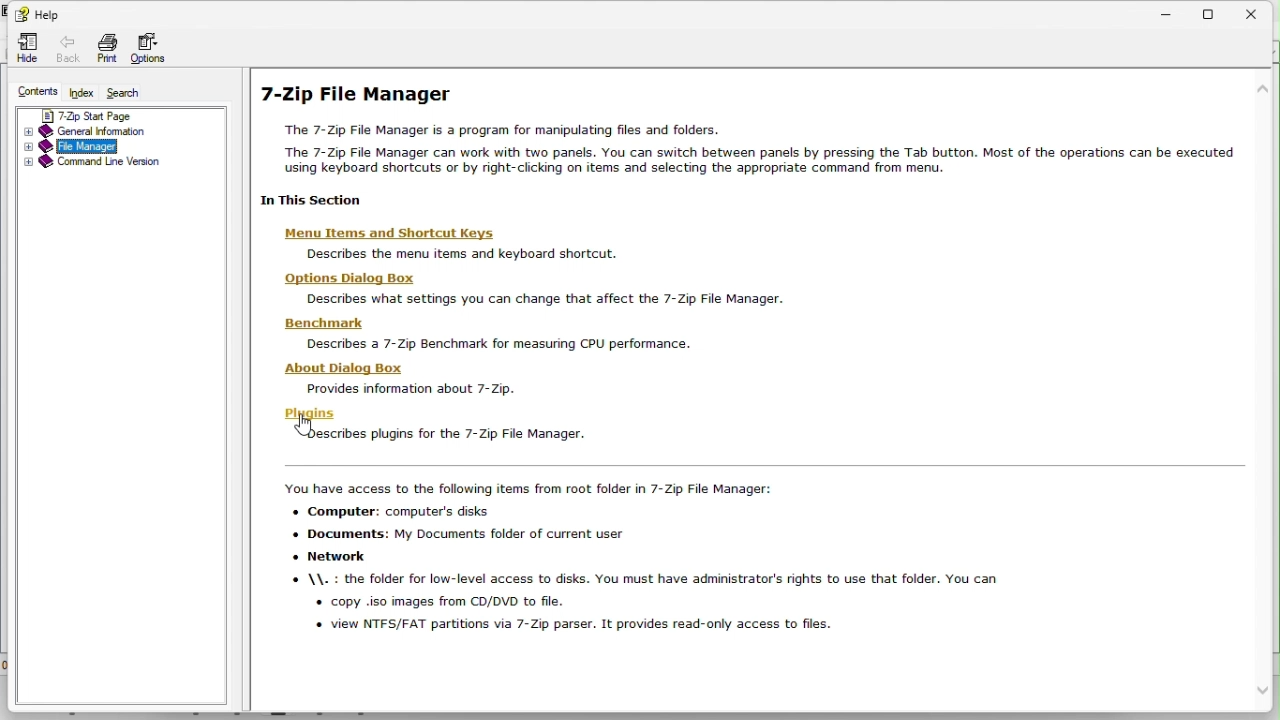 This screenshot has width=1280, height=720. Describe the element at coordinates (38, 93) in the screenshot. I see `Contents` at that location.